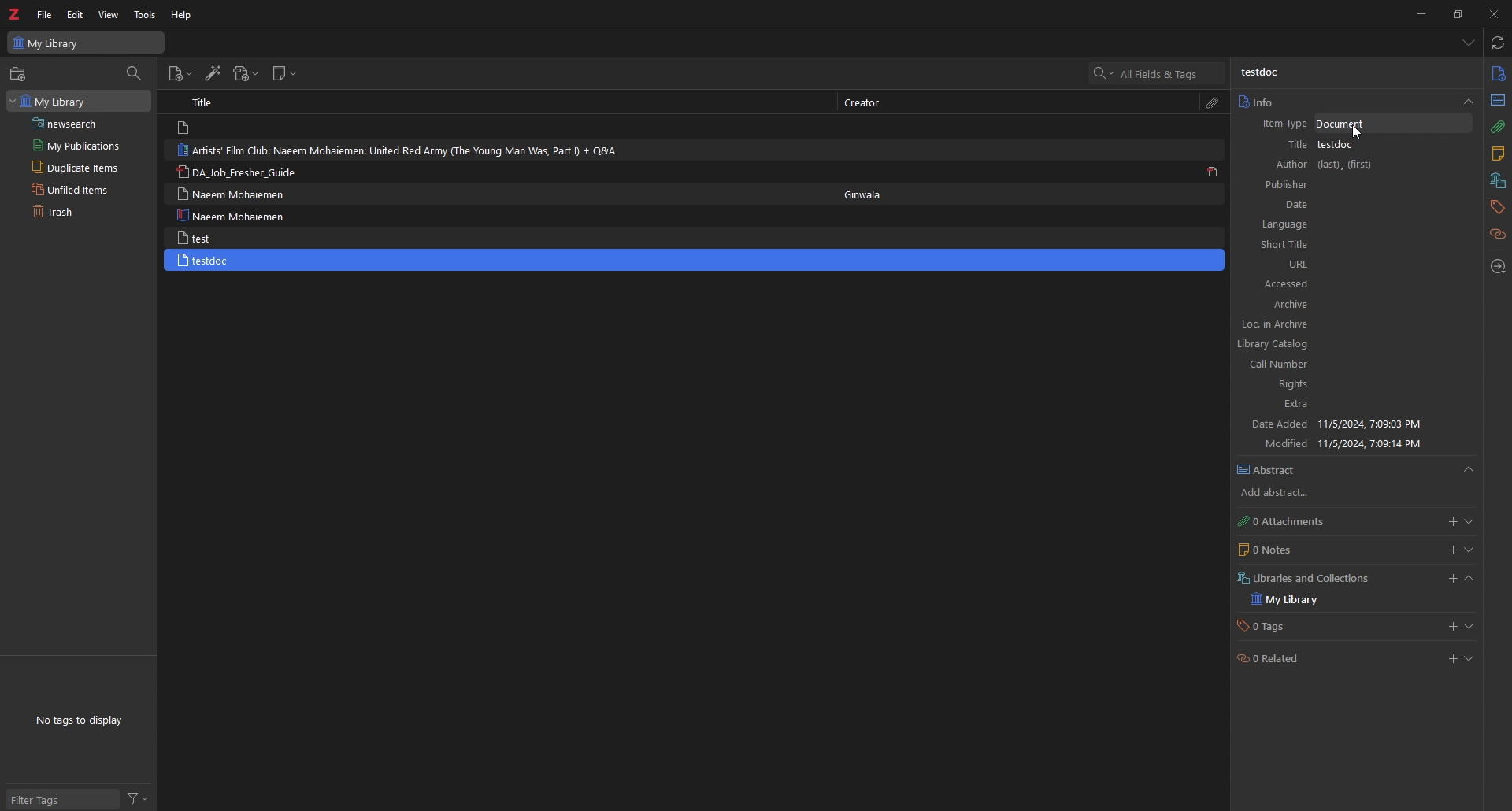 This screenshot has width=1512, height=811. I want to click on 0 Notes, so click(1291, 551).